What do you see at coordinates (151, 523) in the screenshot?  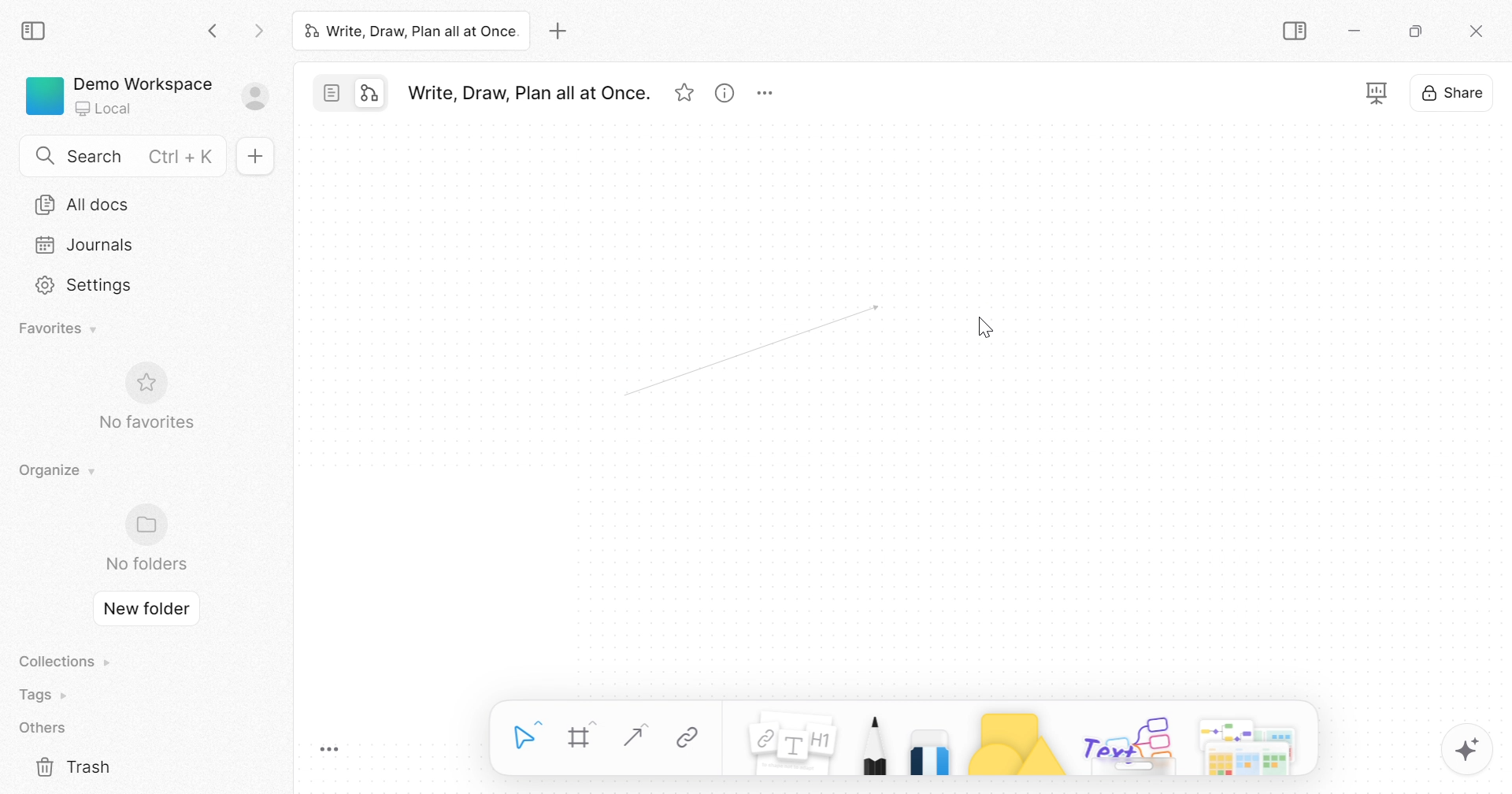 I see `Folder icon` at bounding box center [151, 523].